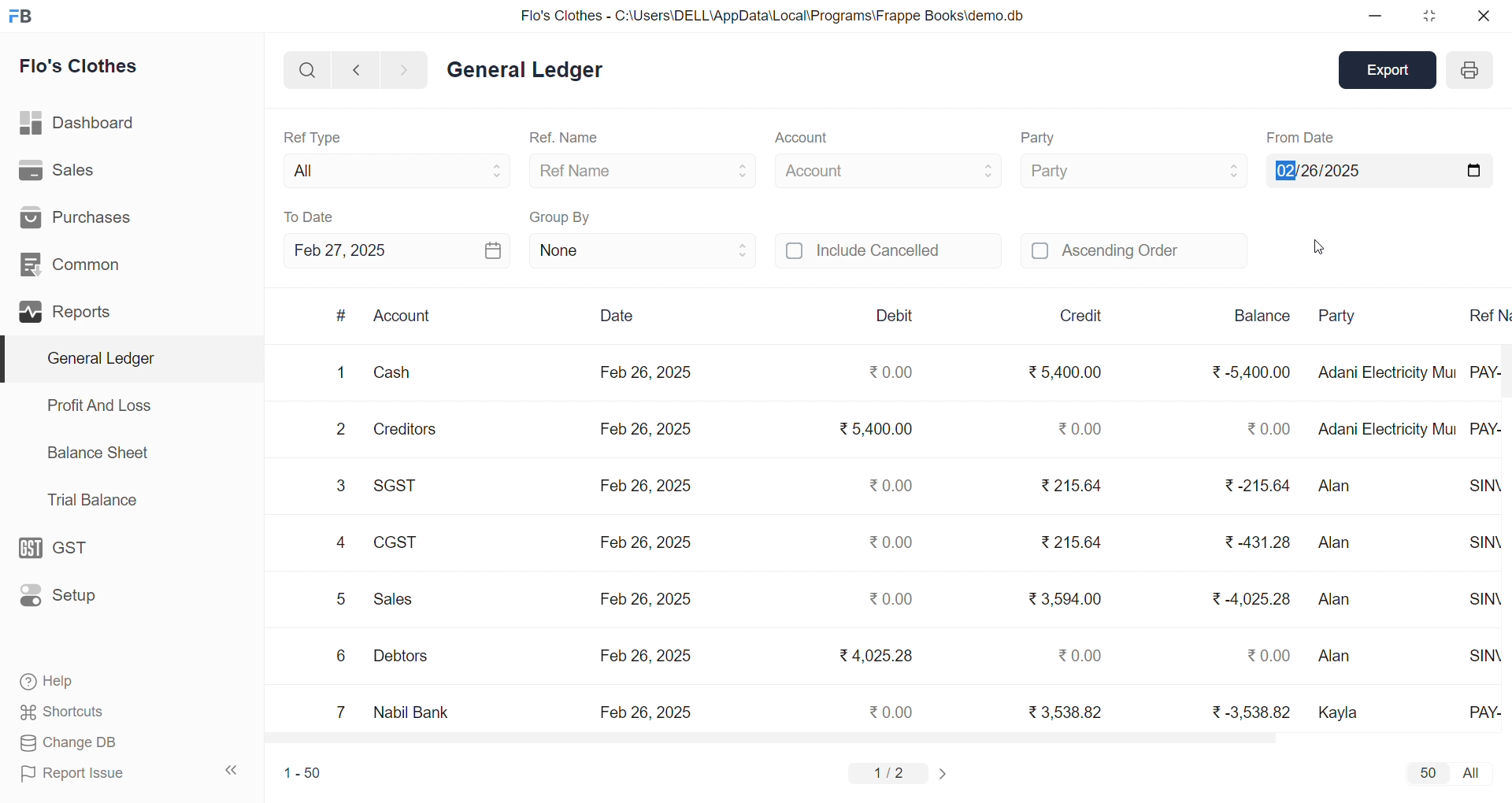 The width and height of the screenshot is (1512, 803). What do you see at coordinates (62, 709) in the screenshot?
I see `Shortcuts` at bounding box center [62, 709].